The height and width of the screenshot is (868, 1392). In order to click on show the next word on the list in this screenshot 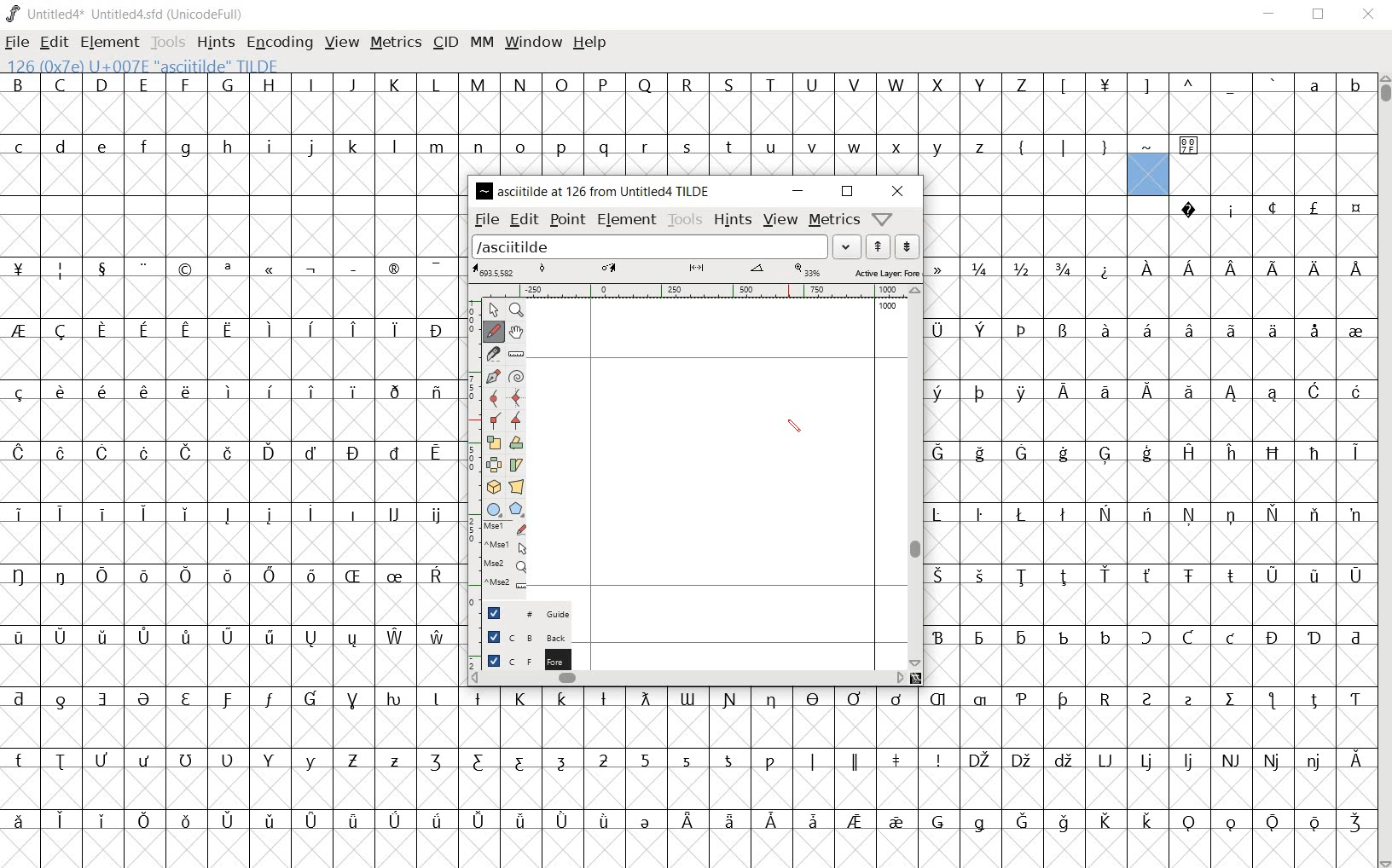, I will do `click(878, 246)`.